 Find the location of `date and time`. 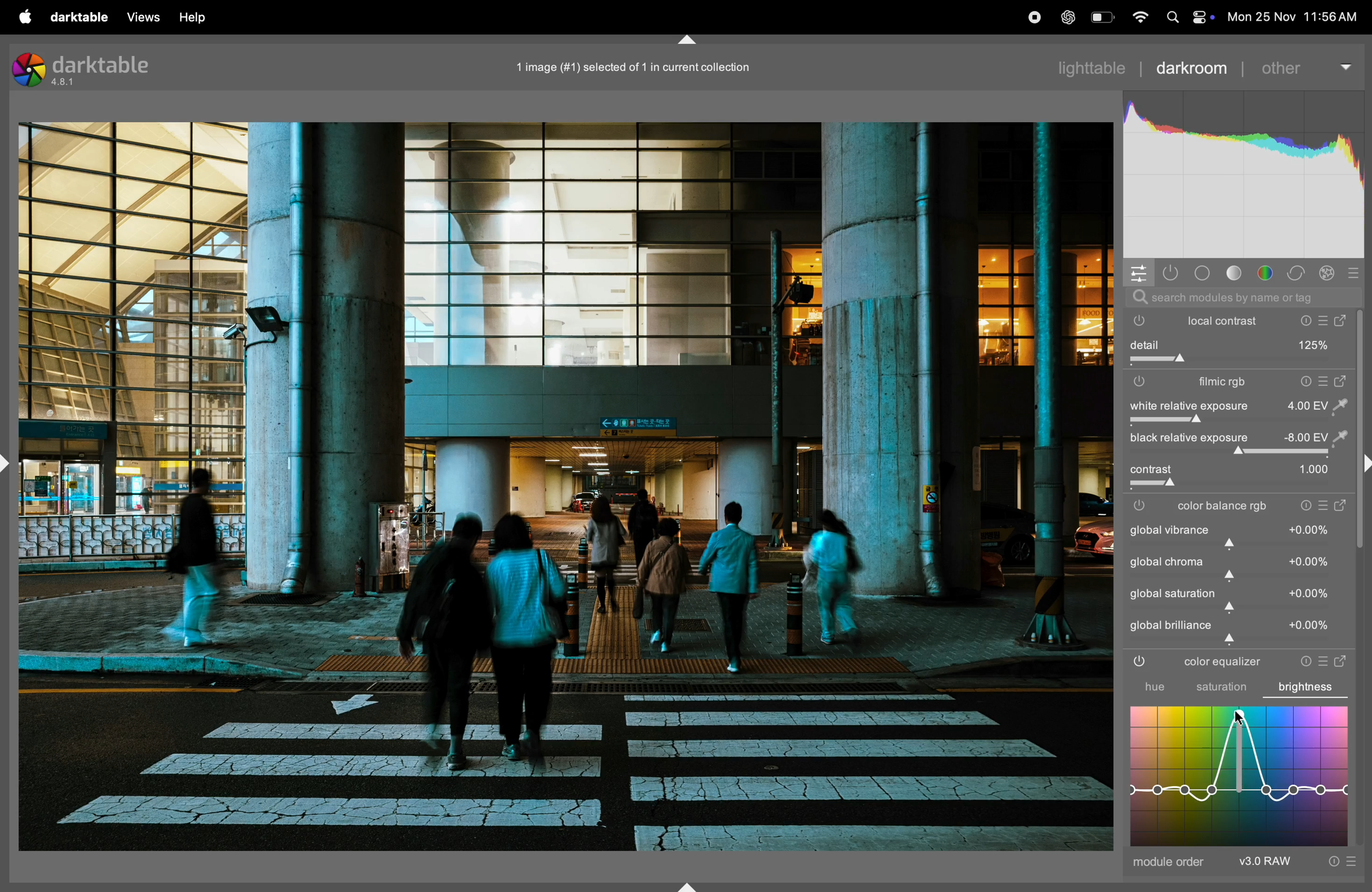

date and time is located at coordinates (1292, 17).